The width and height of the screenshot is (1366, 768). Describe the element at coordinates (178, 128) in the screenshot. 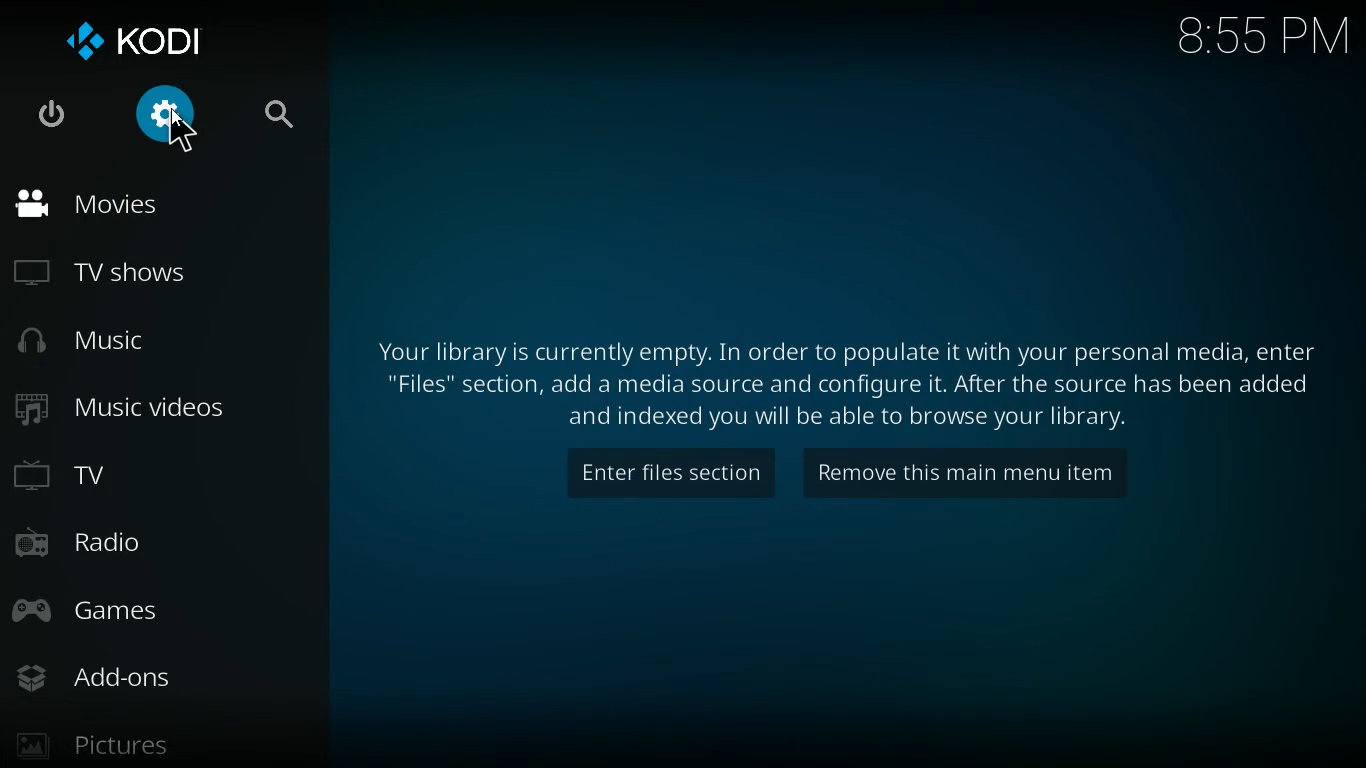

I see `Cursor` at that location.